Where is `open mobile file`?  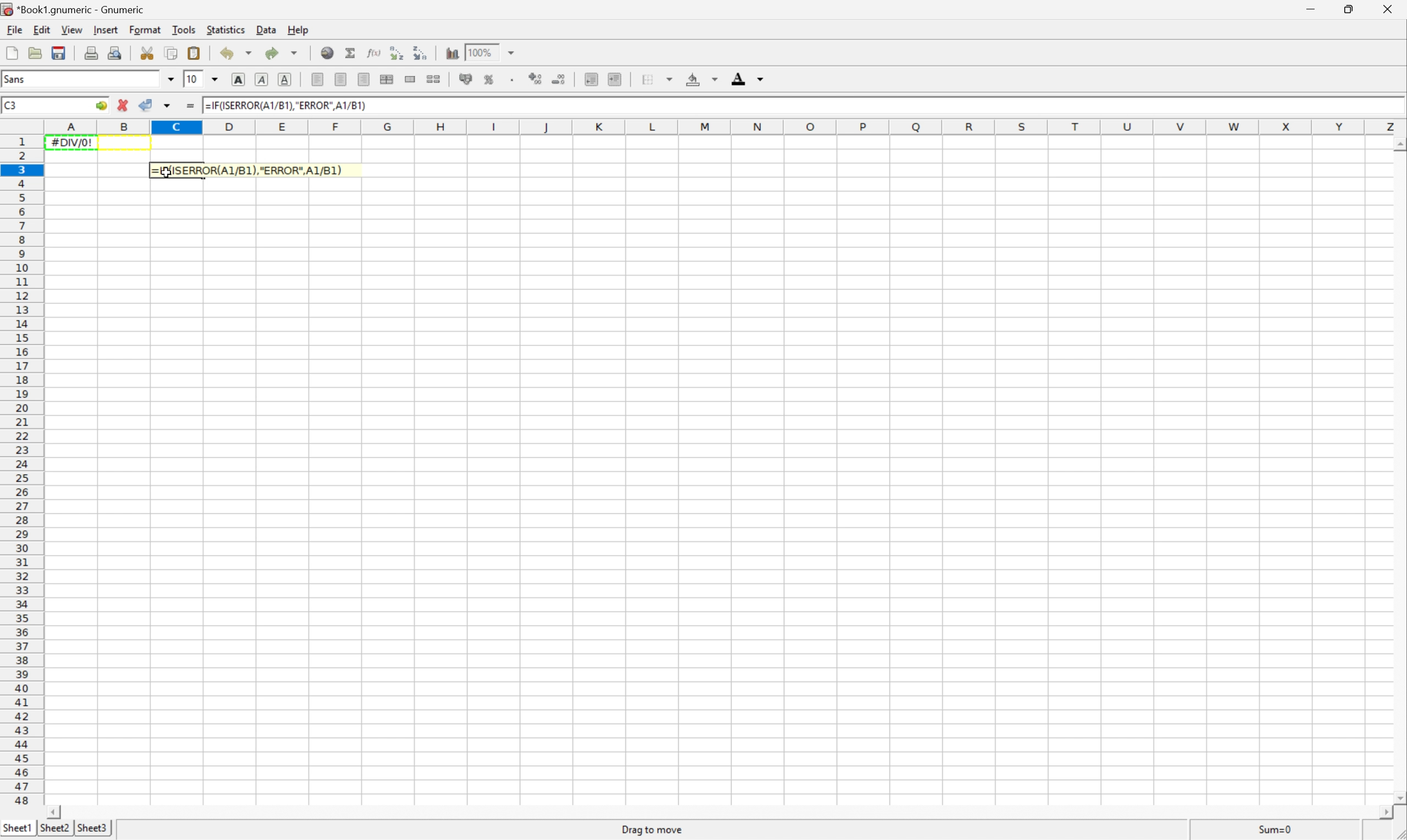
open mobile file is located at coordinates (36, 53).